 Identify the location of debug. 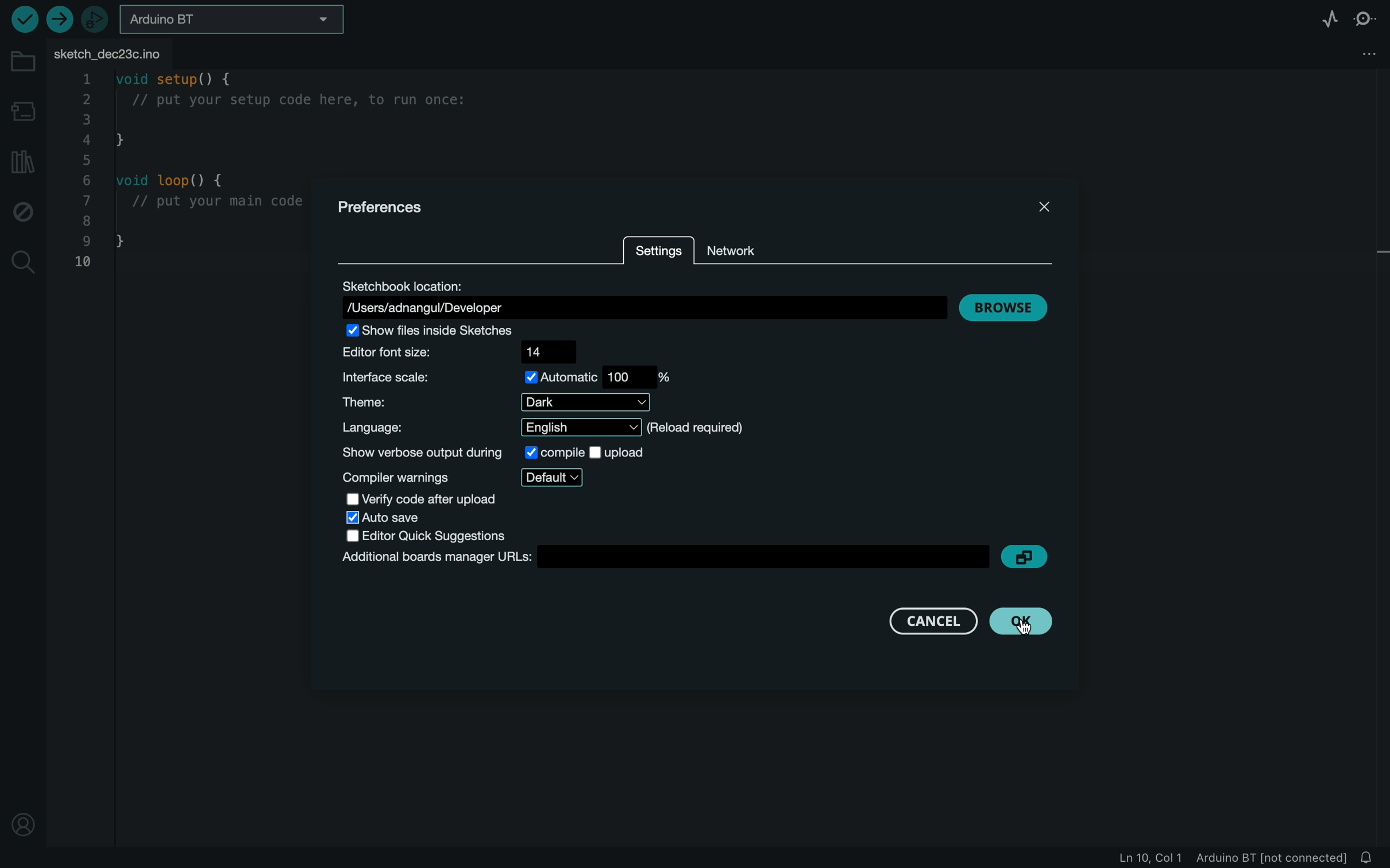
(24, 214).